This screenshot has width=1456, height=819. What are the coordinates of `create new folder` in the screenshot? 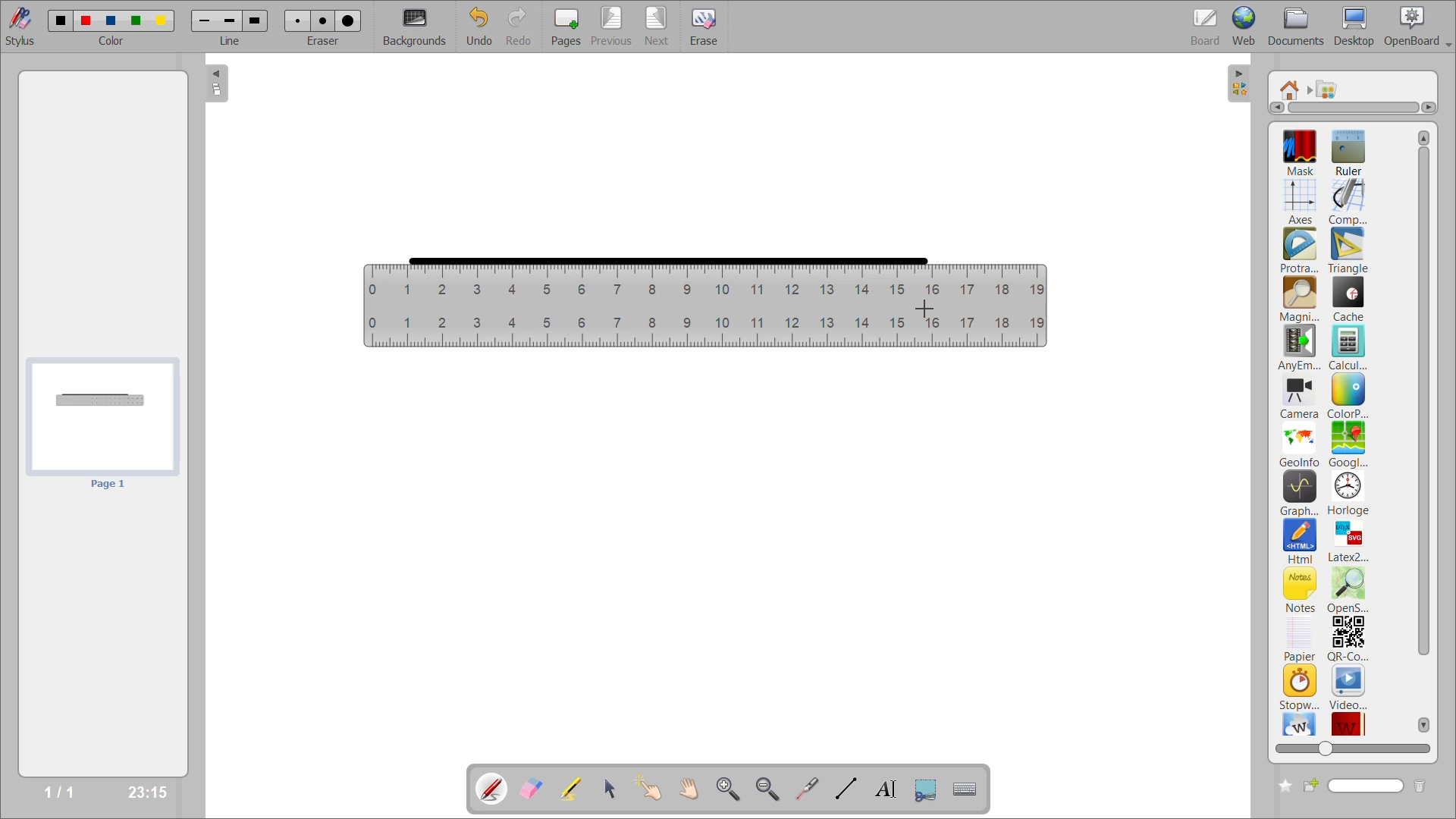 It's located at (1282, 786).